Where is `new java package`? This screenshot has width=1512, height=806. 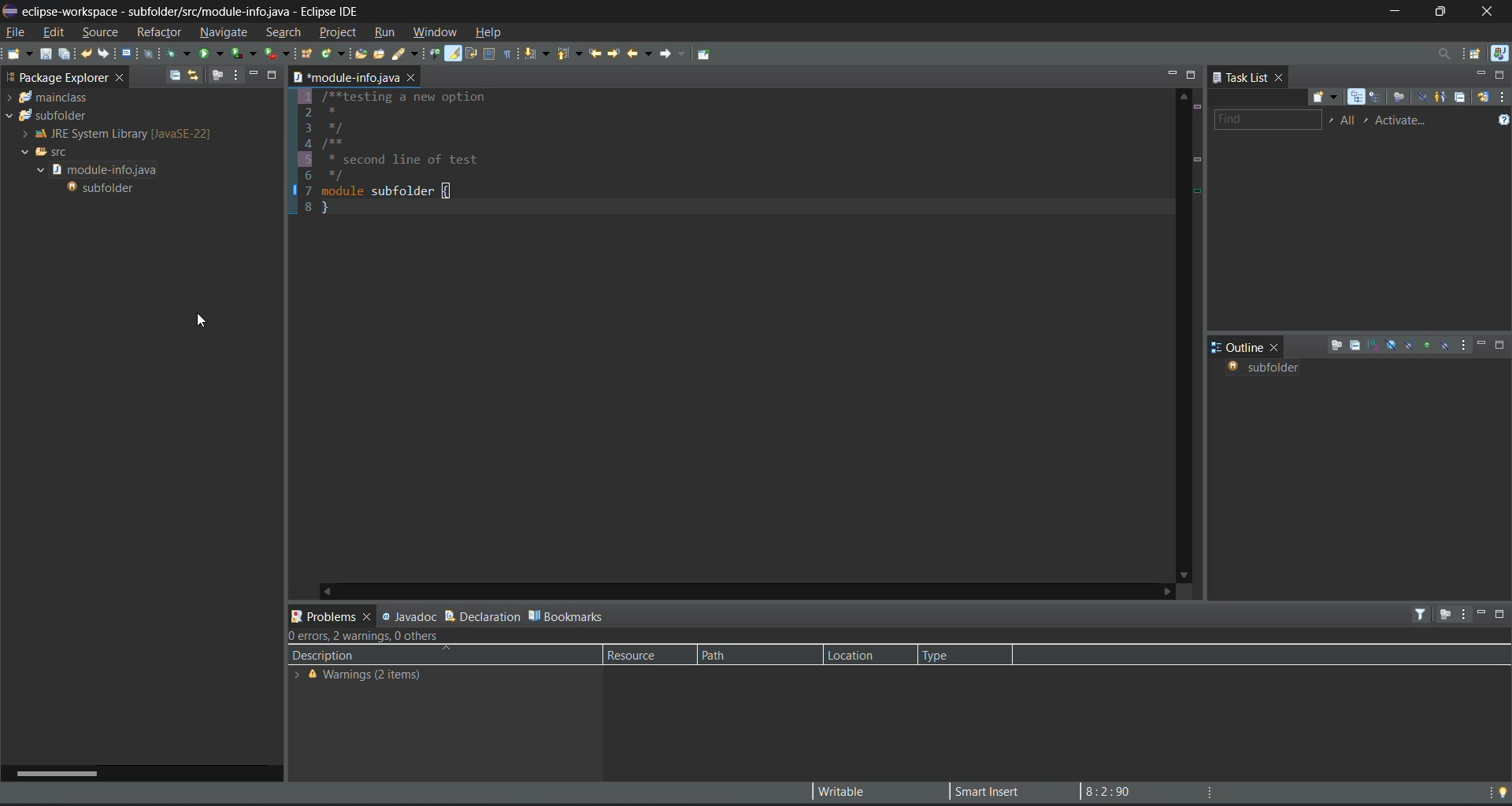
new java package is located at coordinates (308, 56).